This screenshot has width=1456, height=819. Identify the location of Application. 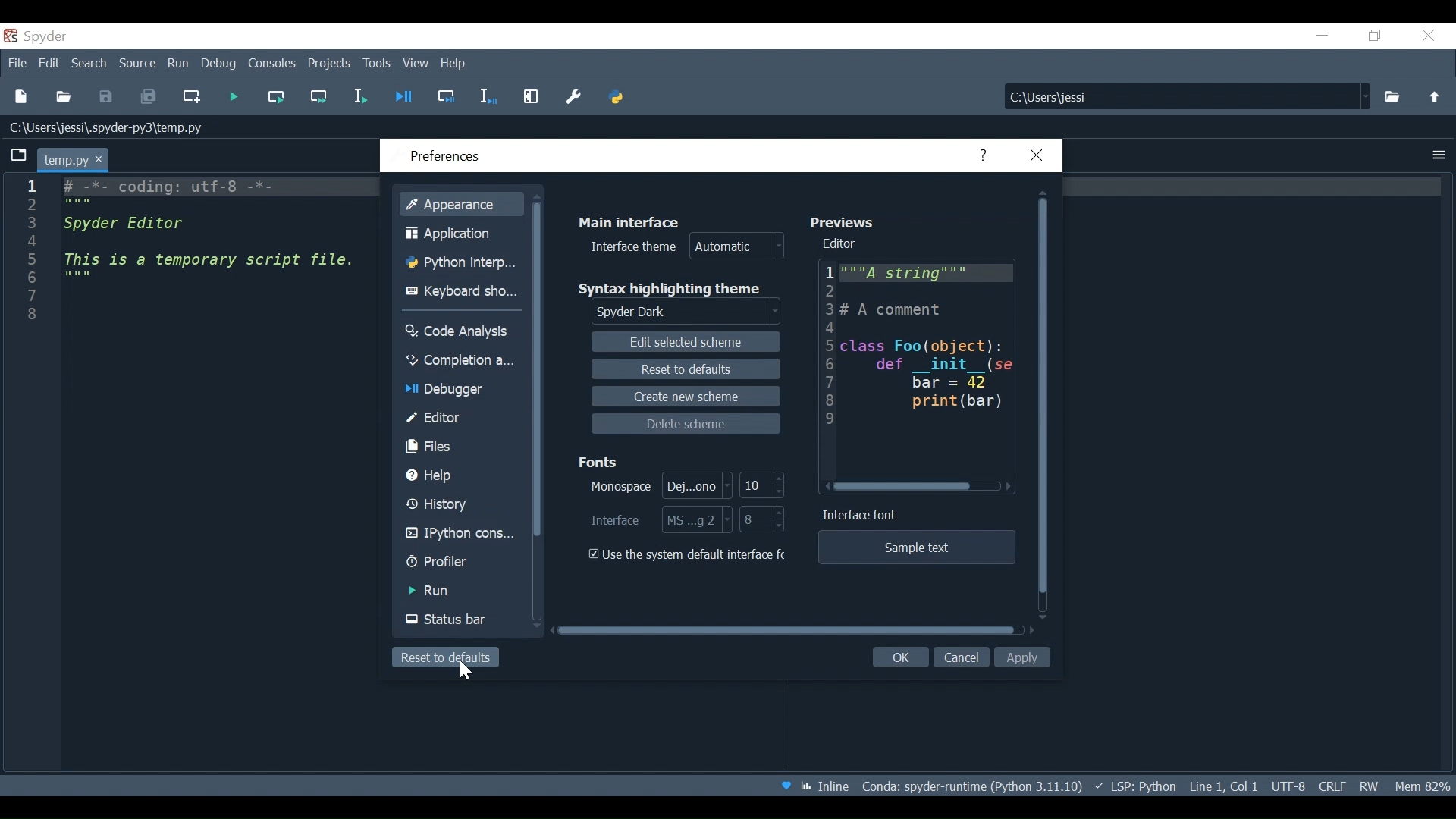
(462, 234).